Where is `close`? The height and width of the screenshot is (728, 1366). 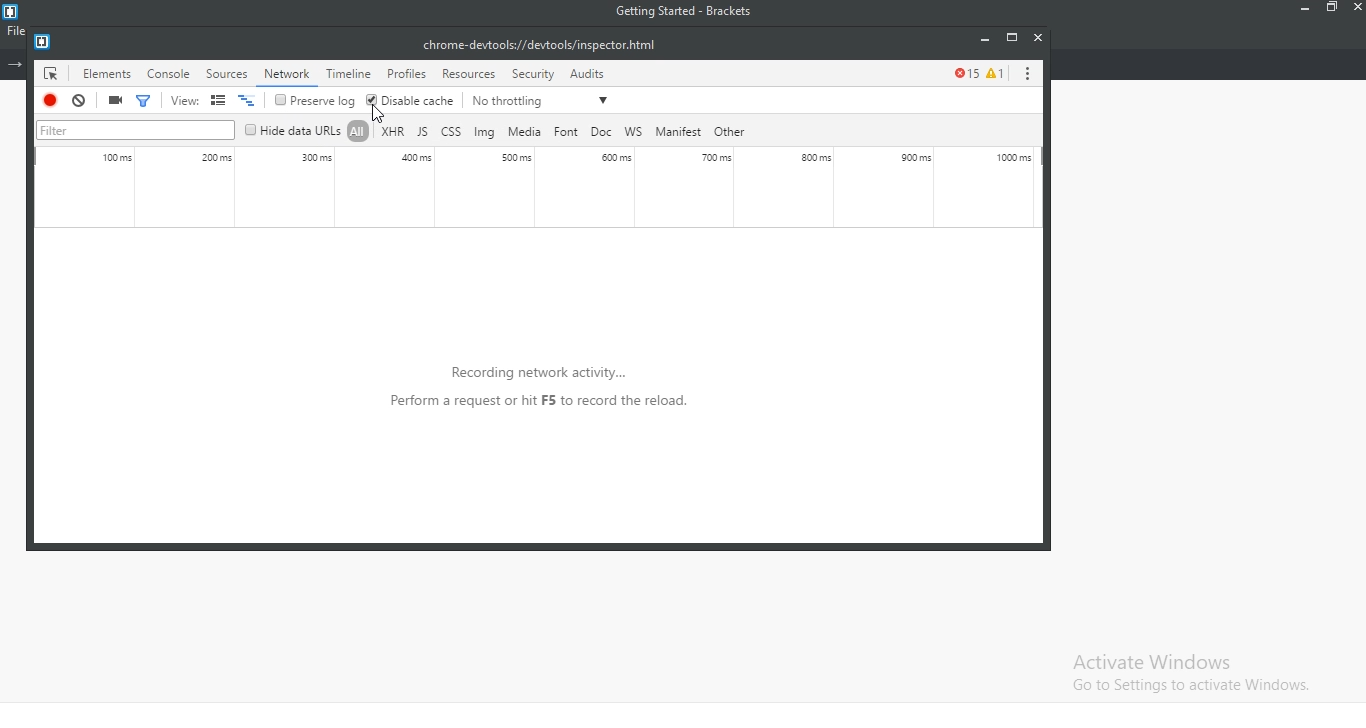 close is located at coordinates (1037, 37).